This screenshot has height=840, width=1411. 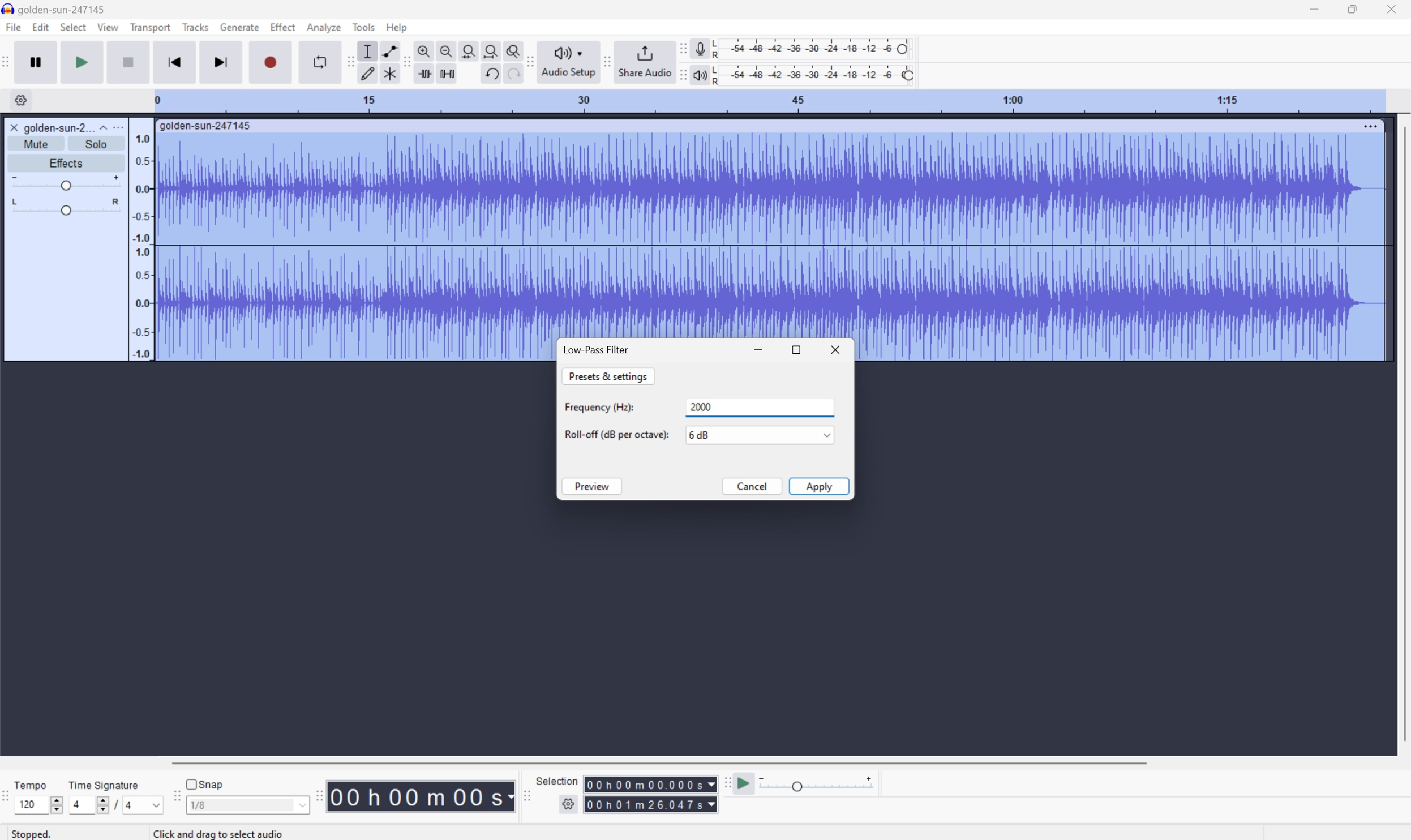 What do you see at coordinates (761, 350) in the screenshot?
I see `Minimze` at bounding box center [761, 350].